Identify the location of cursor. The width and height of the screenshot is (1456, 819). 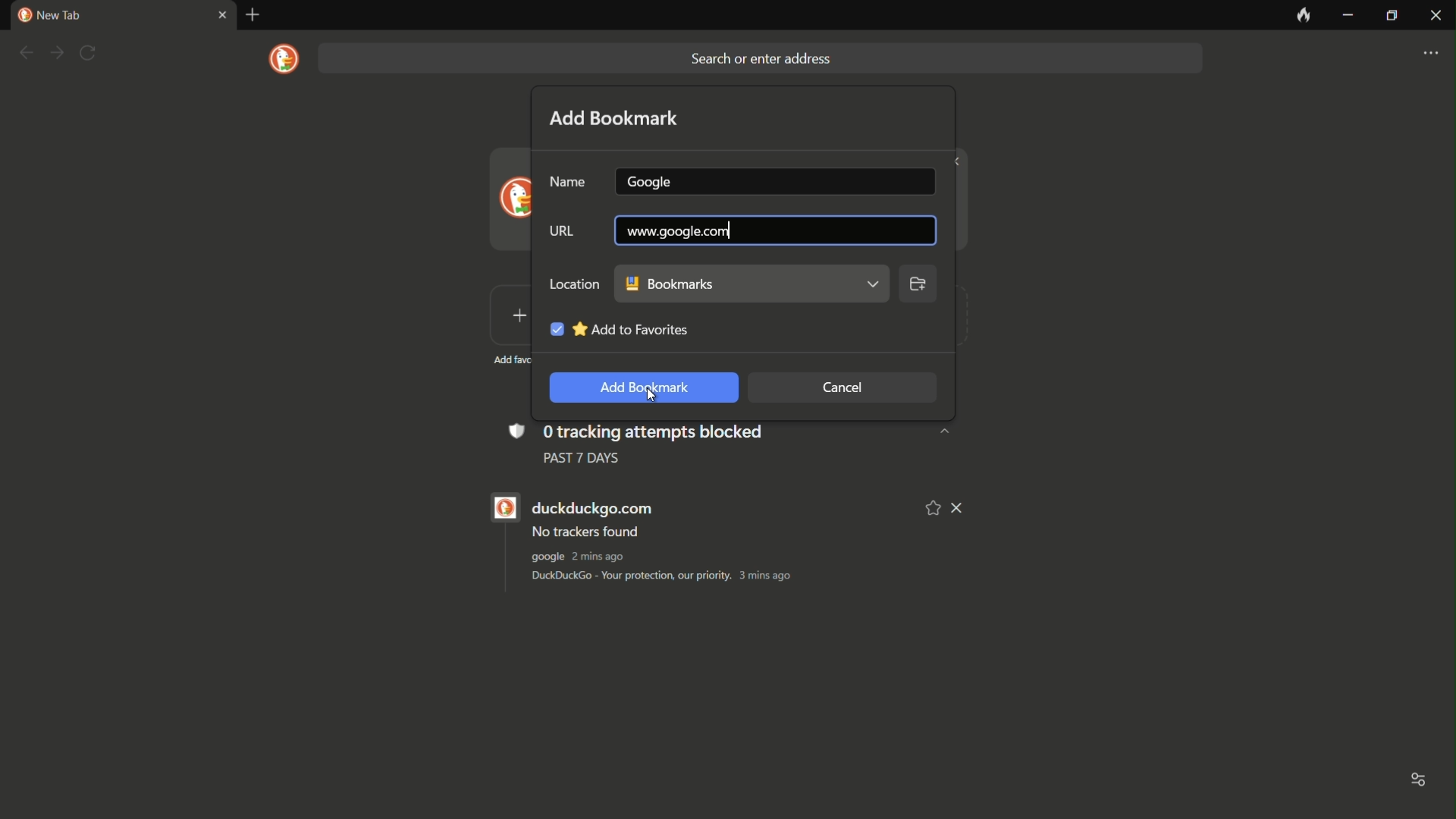
(656, 395).